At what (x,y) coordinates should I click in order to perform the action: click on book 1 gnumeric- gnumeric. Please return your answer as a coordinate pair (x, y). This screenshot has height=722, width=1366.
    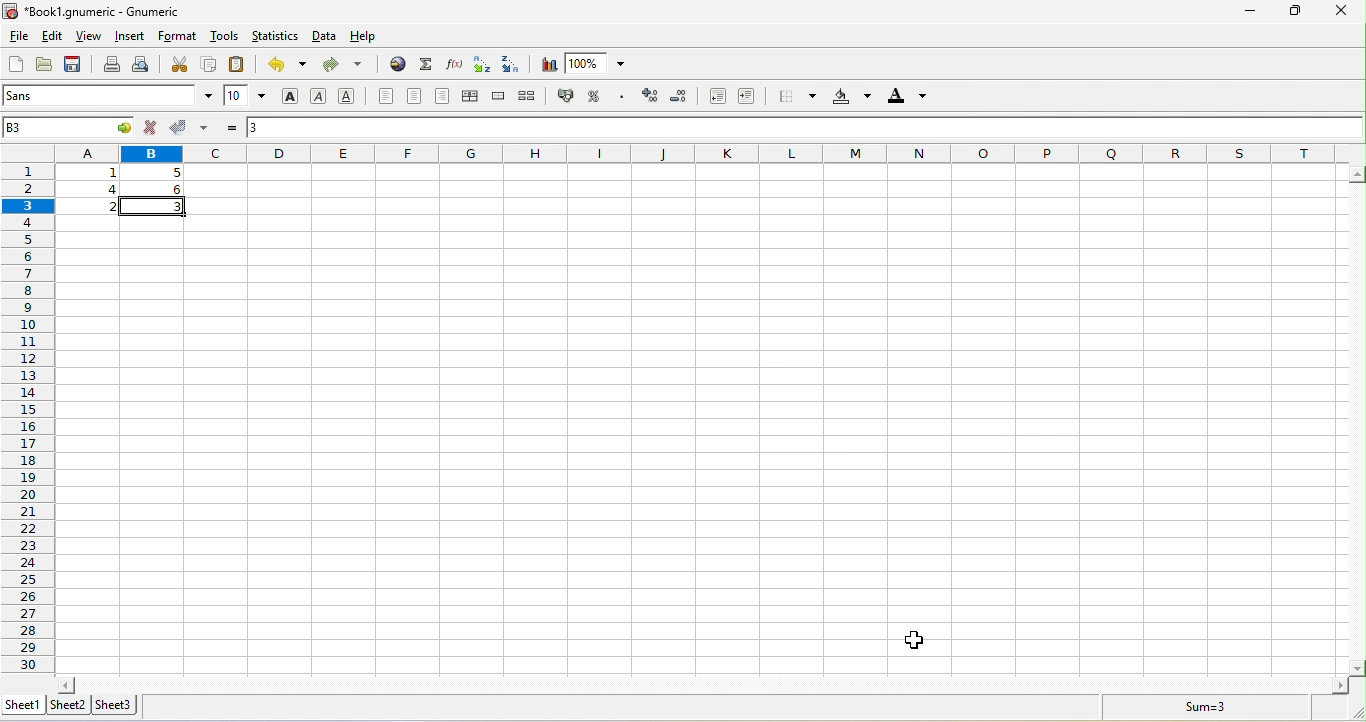
    Looking at the image, I should click on (102, 11).